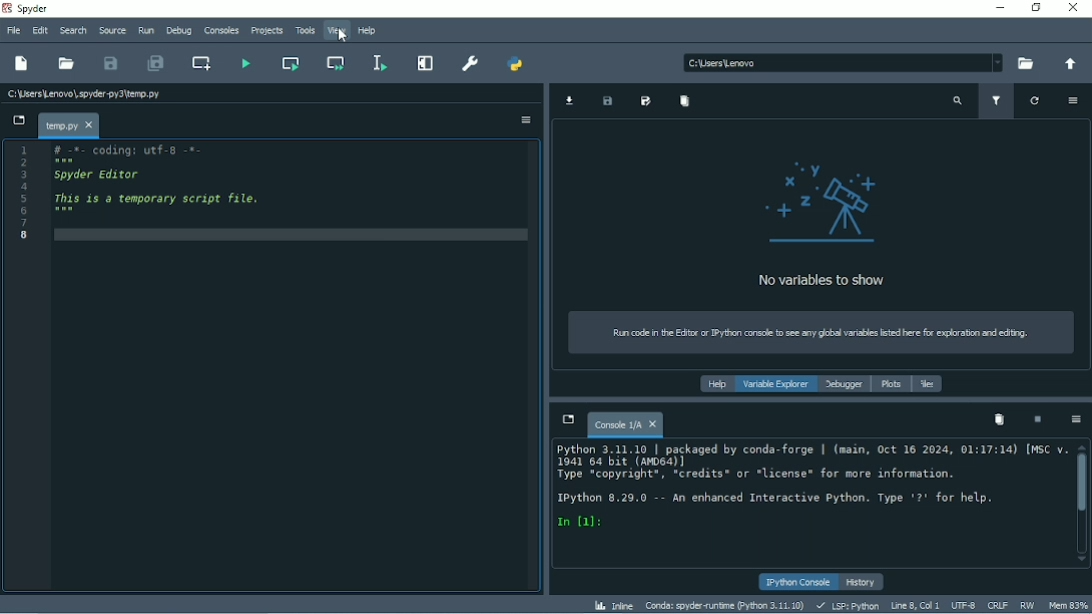 Image resolution: width=1092 pixels, height=614 pixels. Describe the element at coordinates (567, 419) in the screenshot. I see `Browse tabs` at that location.